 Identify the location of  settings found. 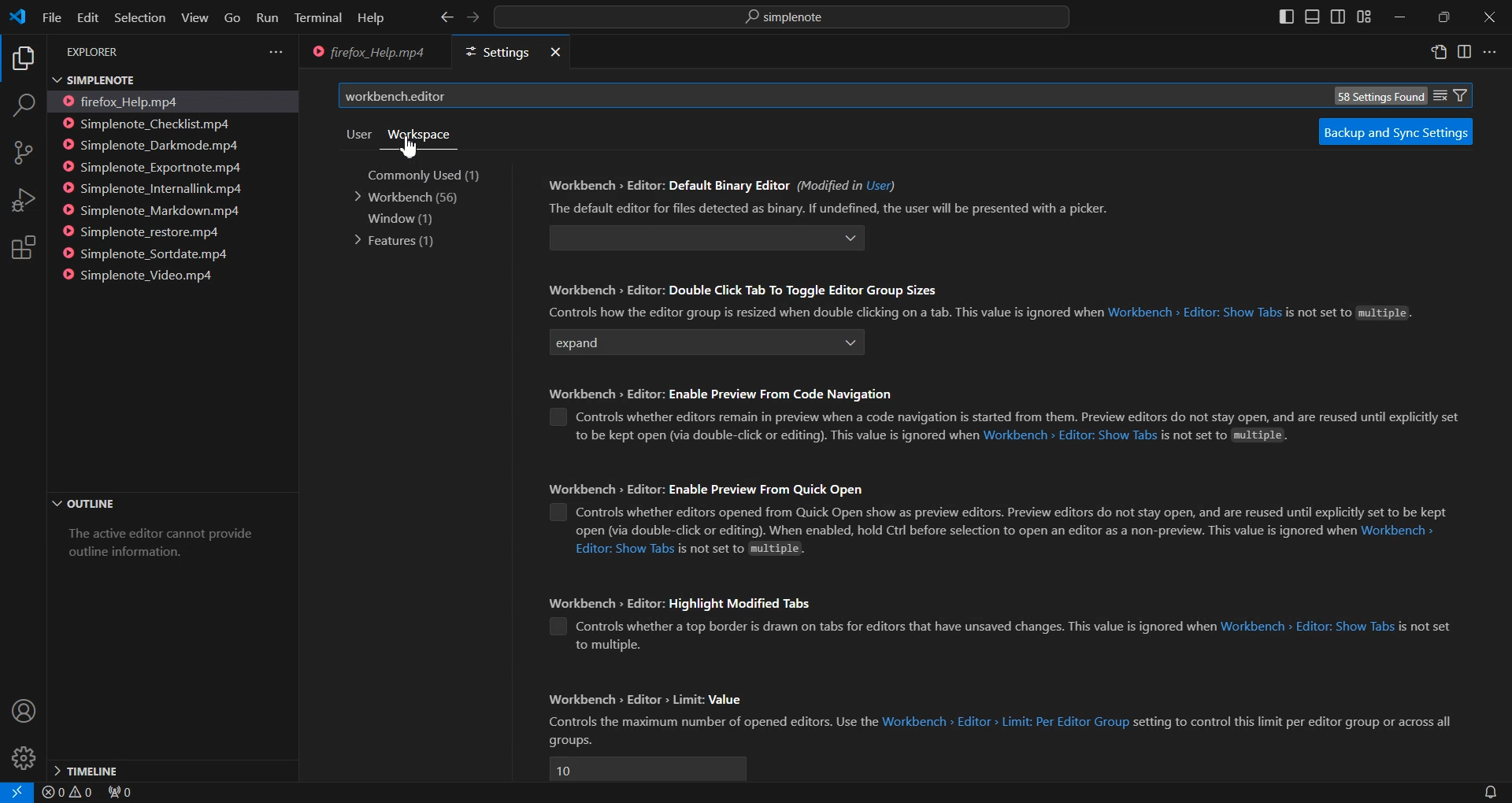
(1378, 96).